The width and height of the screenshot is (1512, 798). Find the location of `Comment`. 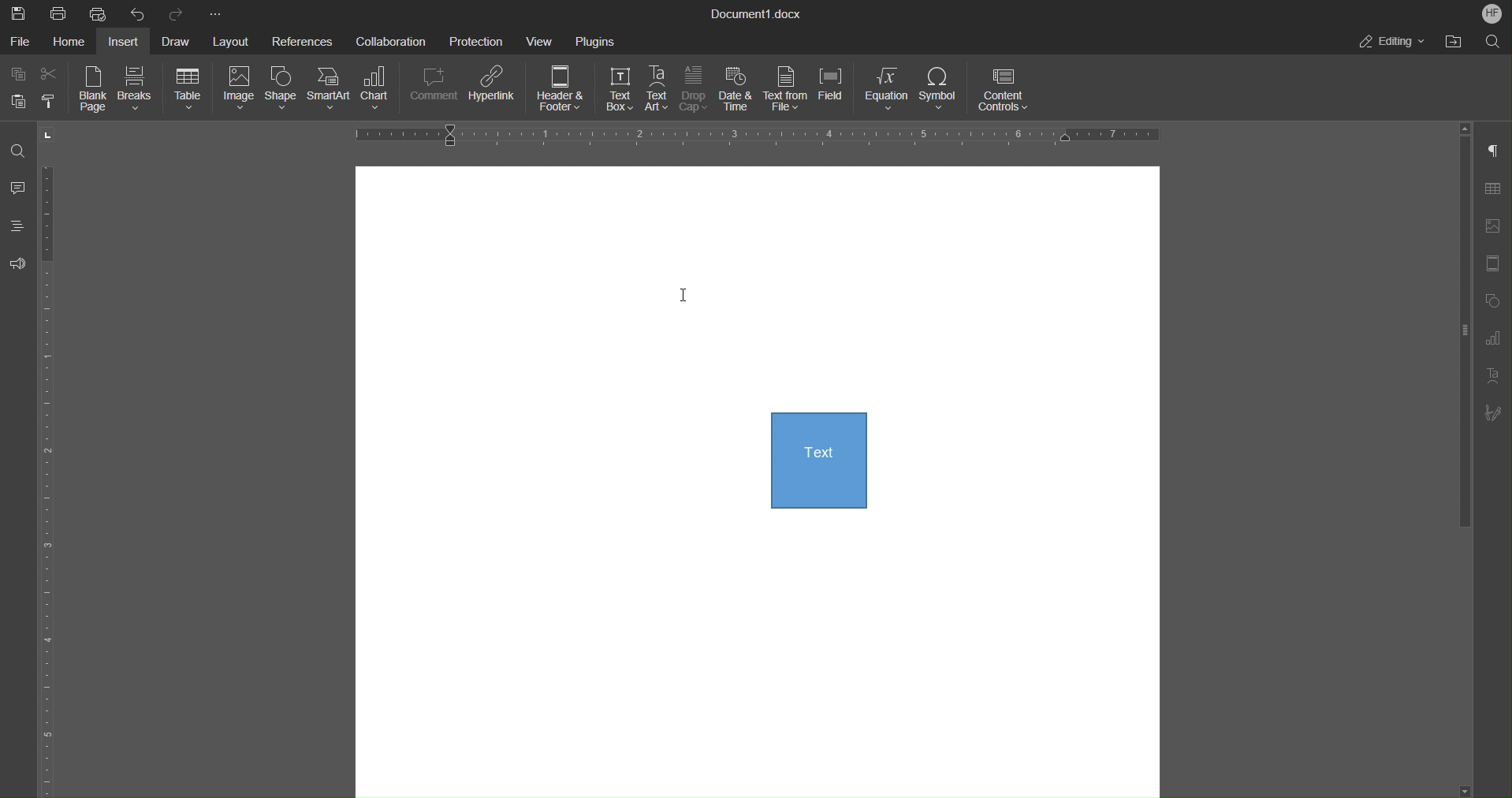

Comment is located at coordinates (435, 91).